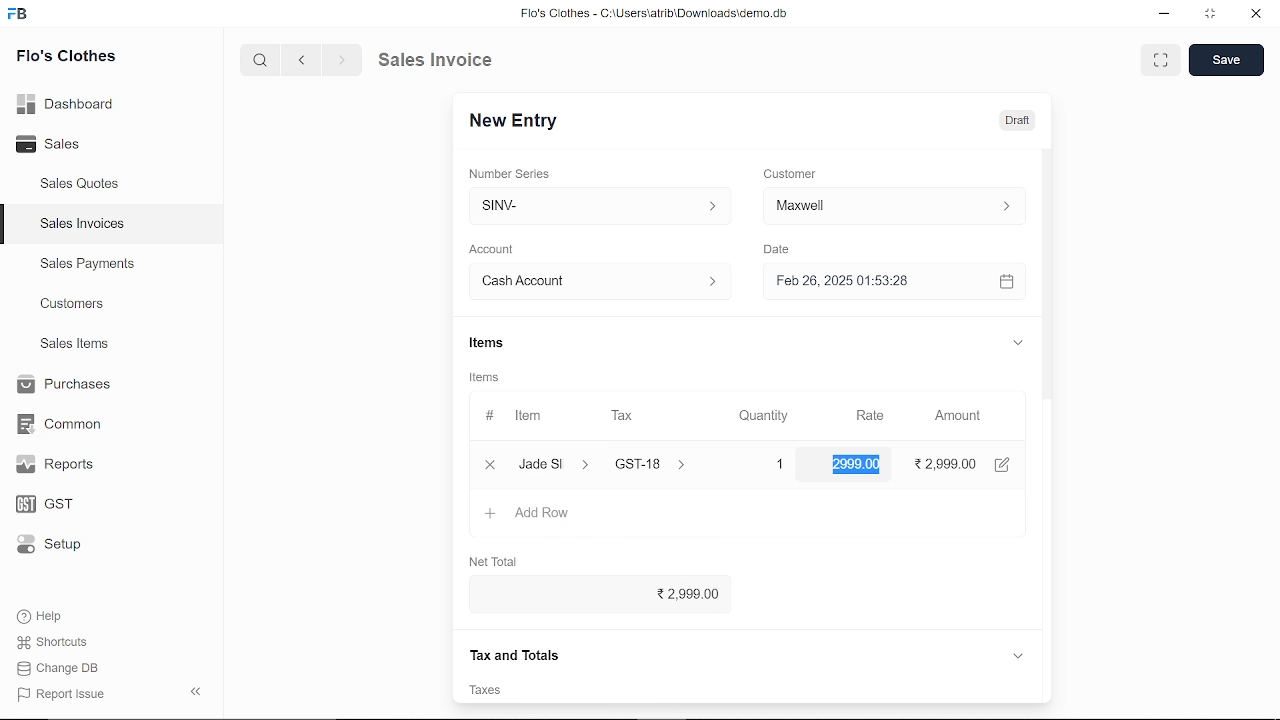 The height and width of the screenshot is (720, 1280). Describe the element at coordinates (863, 416) in the screenshot. I see `Rate` at that location.